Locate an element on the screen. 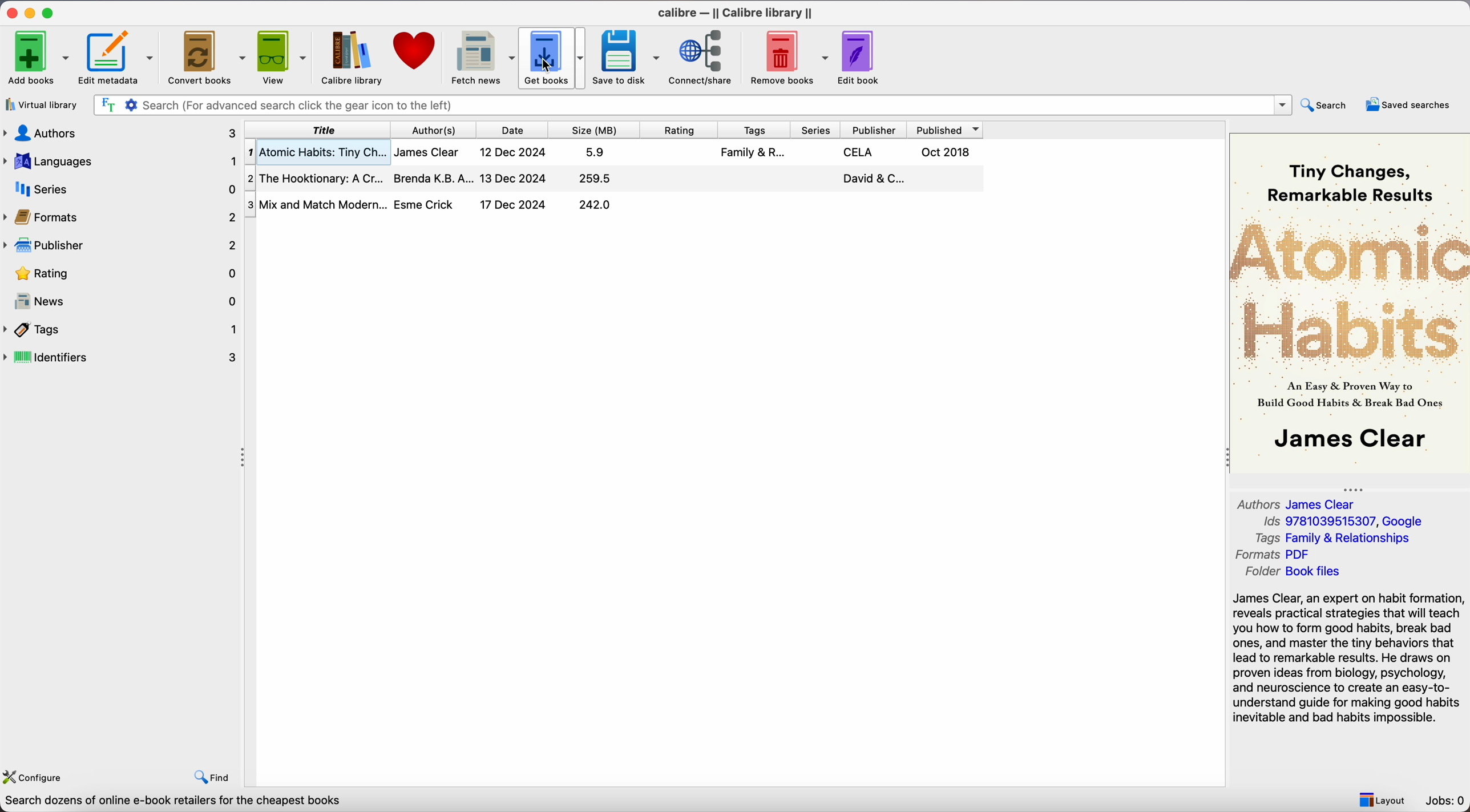 Image resolution: width=1470 pixels, height=812 pixels. 259.5 is located at coordinates (597, 178).